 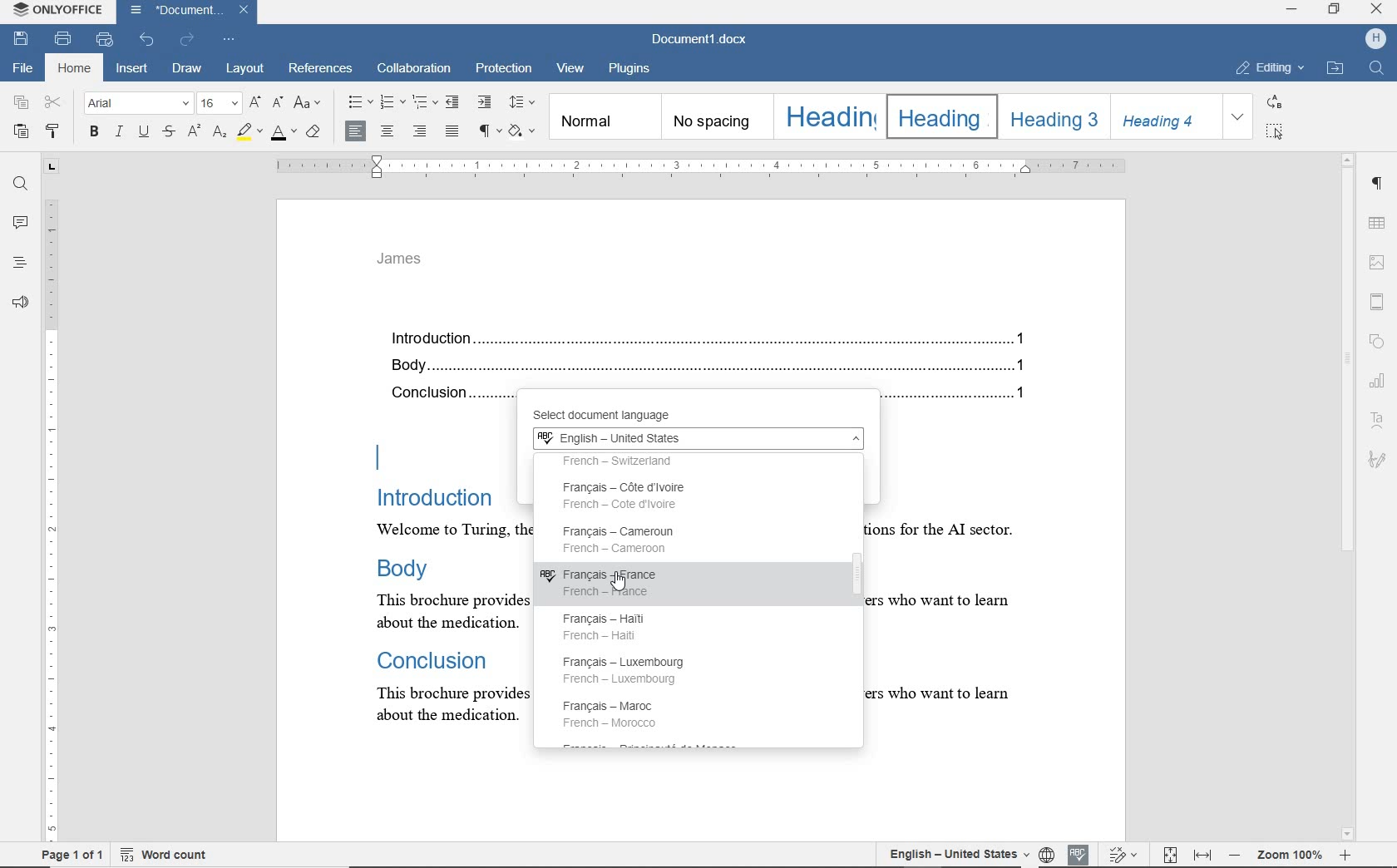 What do you see at coordinates (146, 133) in the screenshot?
I see `underline` at bounding box center [146, 133].